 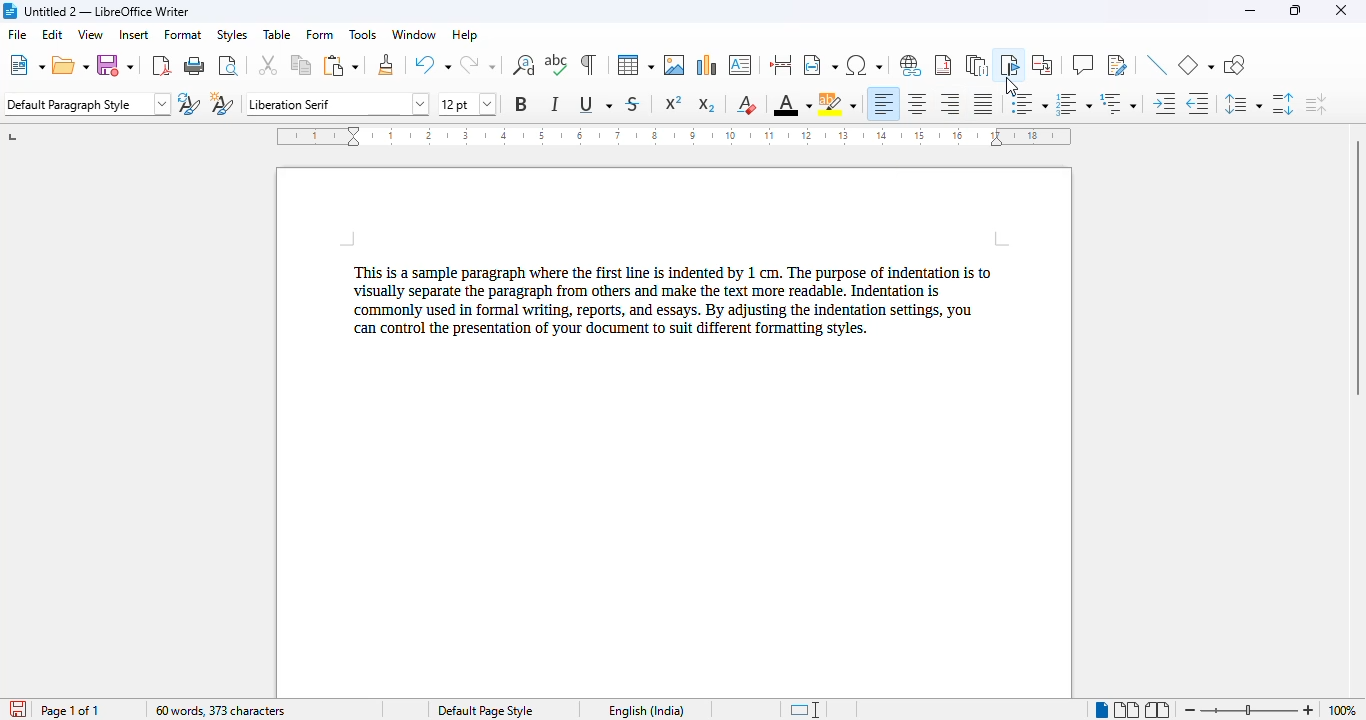 I want to click on styles, so click(x=231, y=34).